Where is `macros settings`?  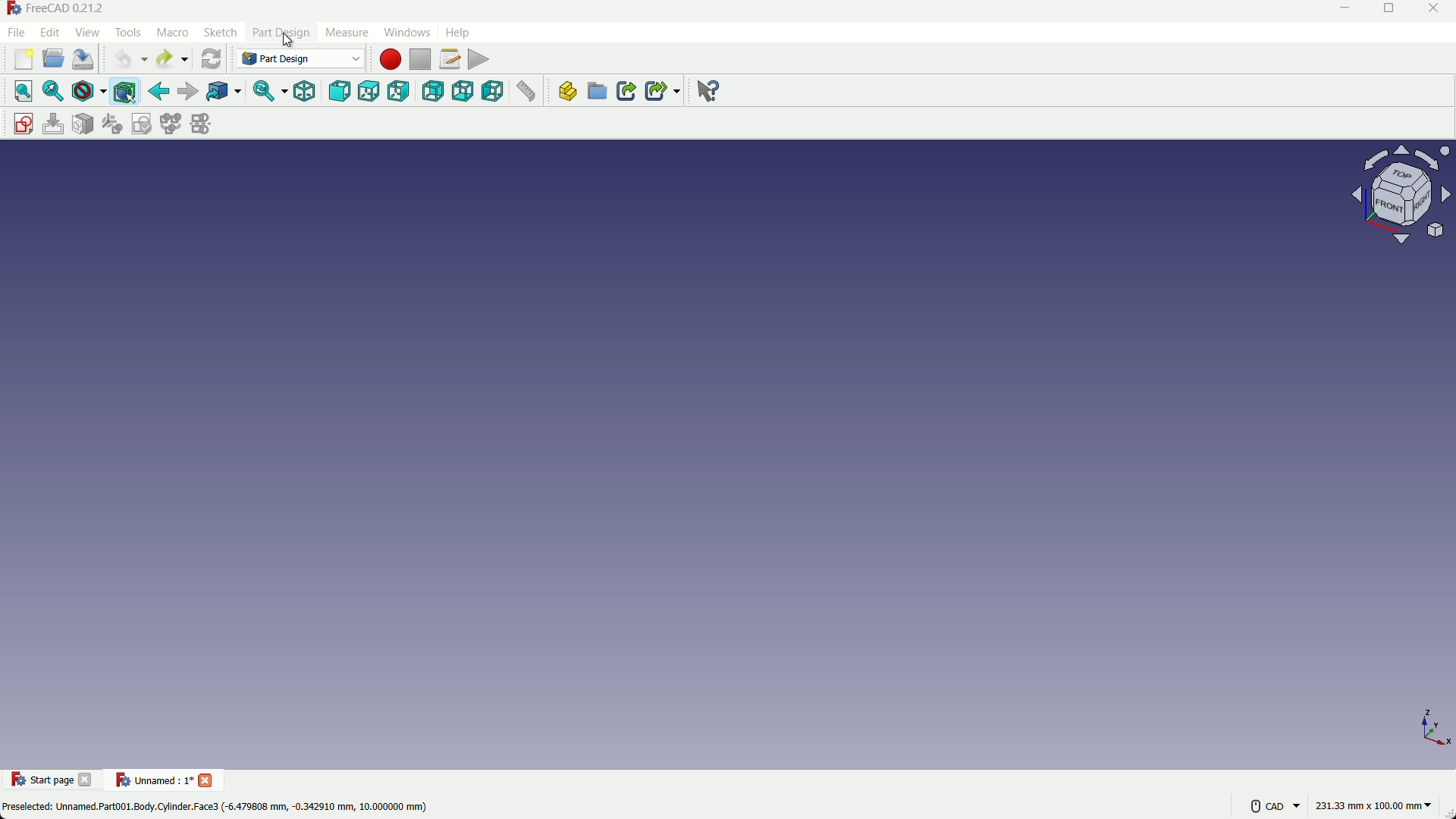
macros settings is located at coordinates (450, 59).